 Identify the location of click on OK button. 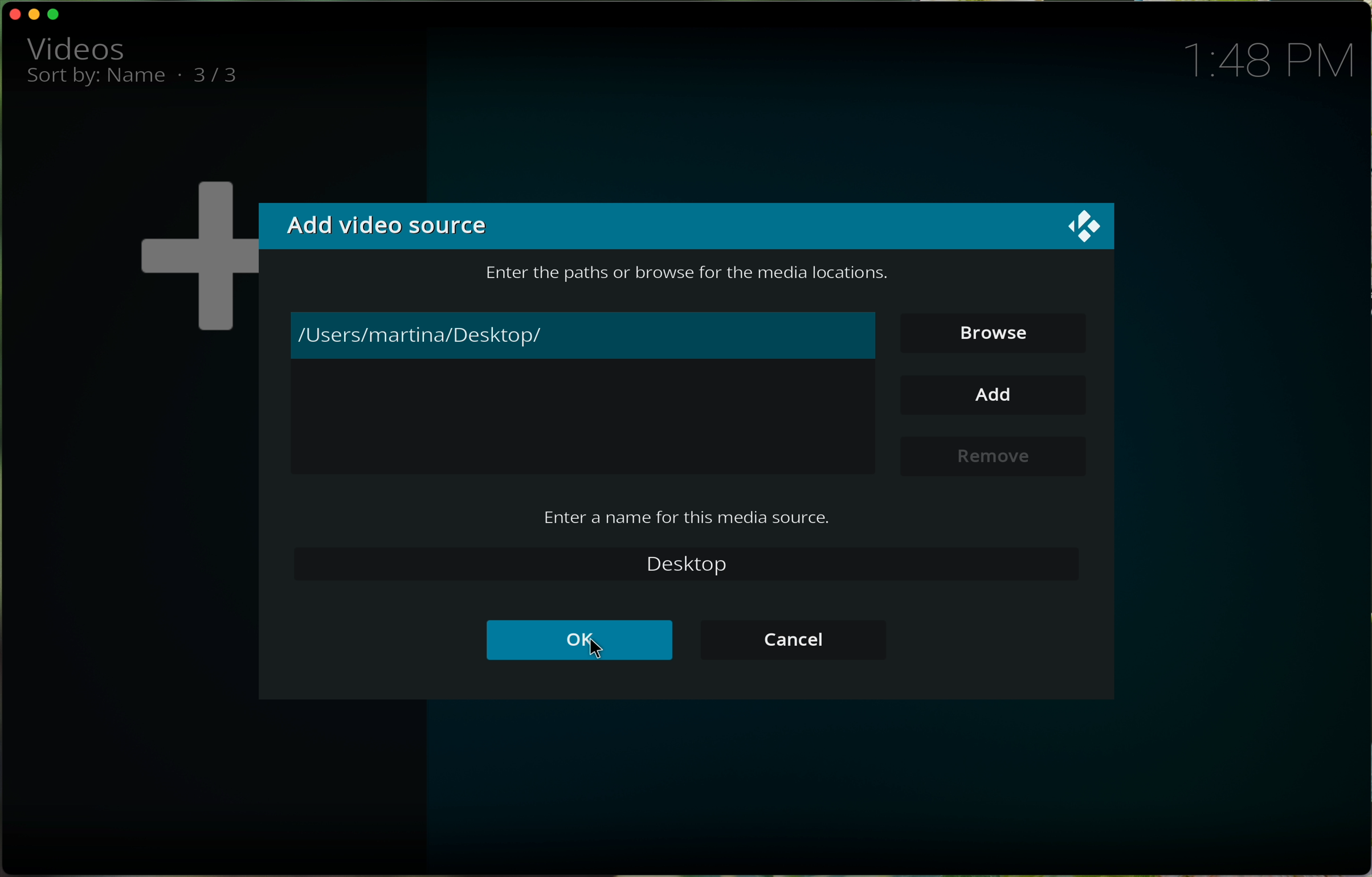
(579, 642).